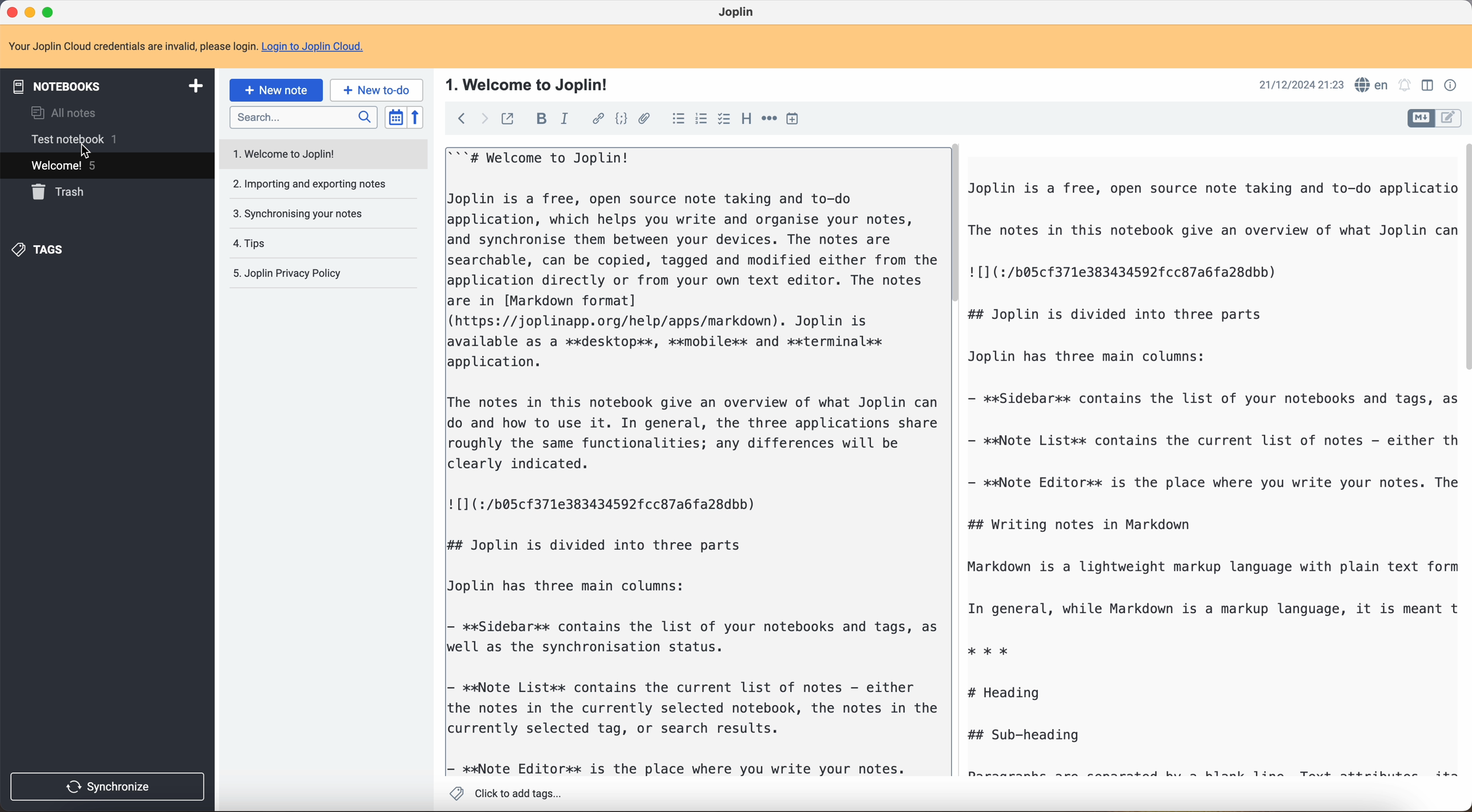  What do you see at coordinates (394, 117) in the screenshot?
I see `toggle sort order field` at bounding box center [394, 117].